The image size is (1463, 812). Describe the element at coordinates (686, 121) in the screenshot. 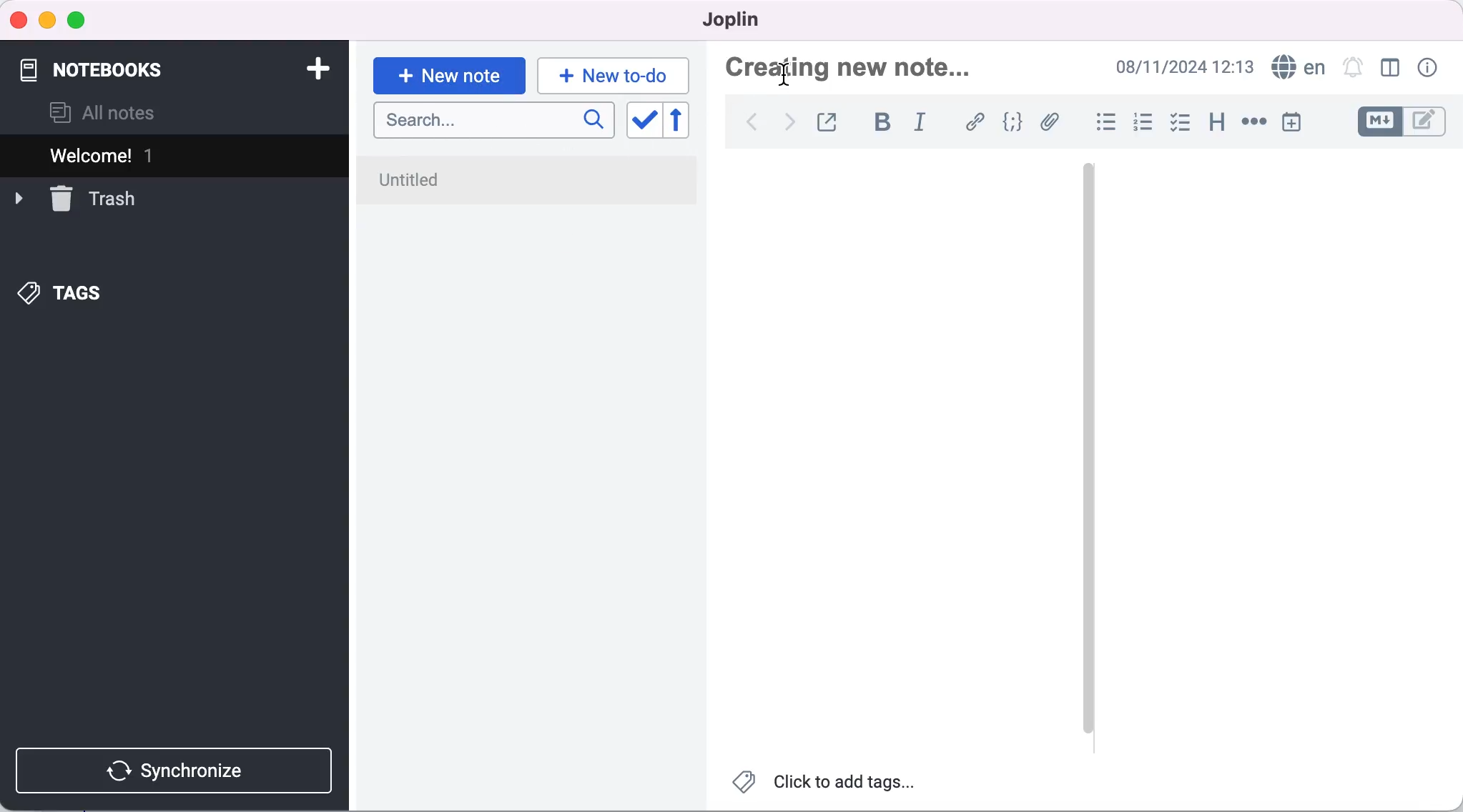

I see `reverse sort order` at that location.